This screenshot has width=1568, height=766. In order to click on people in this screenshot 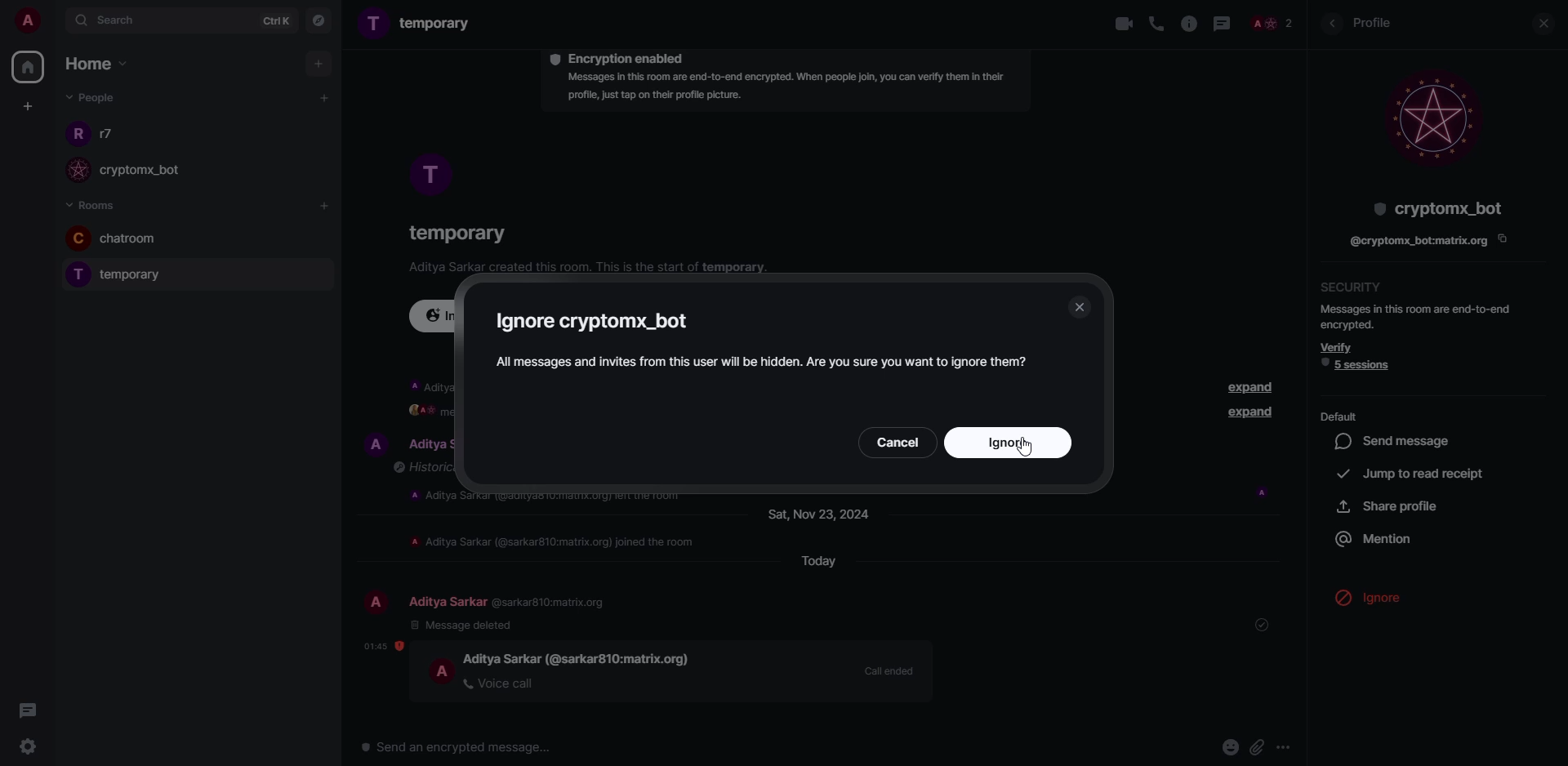, I will do `click(90, 97)`.